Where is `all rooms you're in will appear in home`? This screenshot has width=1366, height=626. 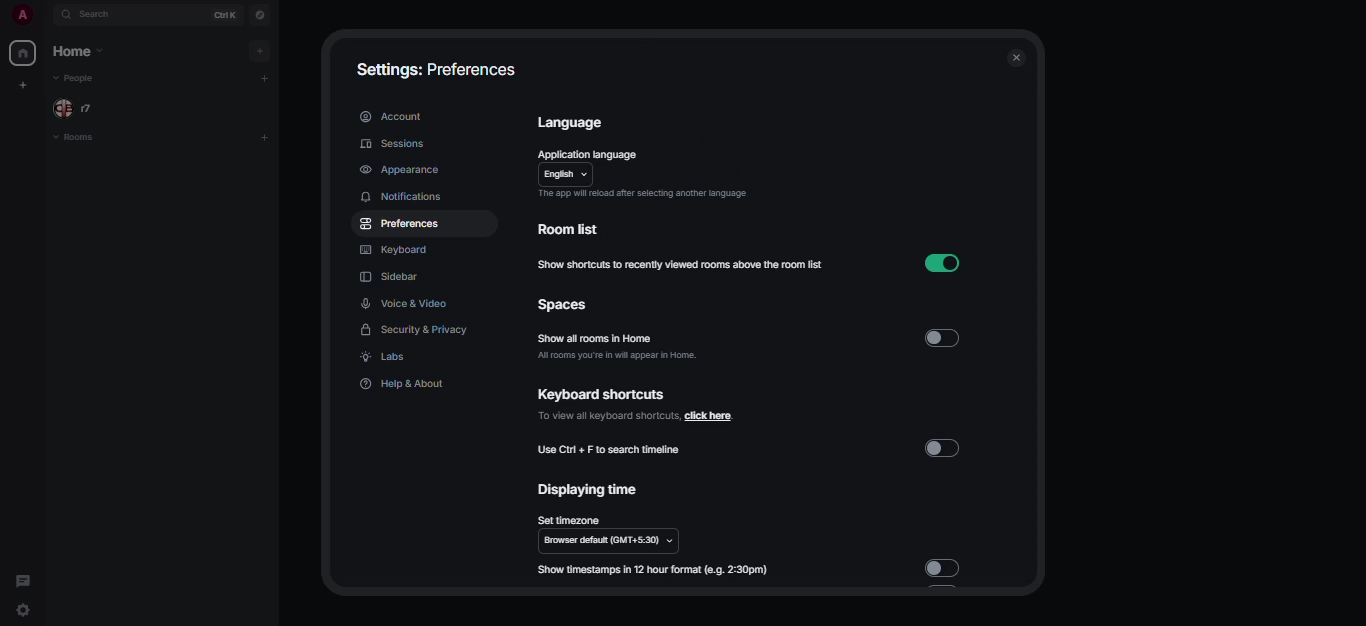
all rooms you're in will appear in home is located at coordinates (626, 357).